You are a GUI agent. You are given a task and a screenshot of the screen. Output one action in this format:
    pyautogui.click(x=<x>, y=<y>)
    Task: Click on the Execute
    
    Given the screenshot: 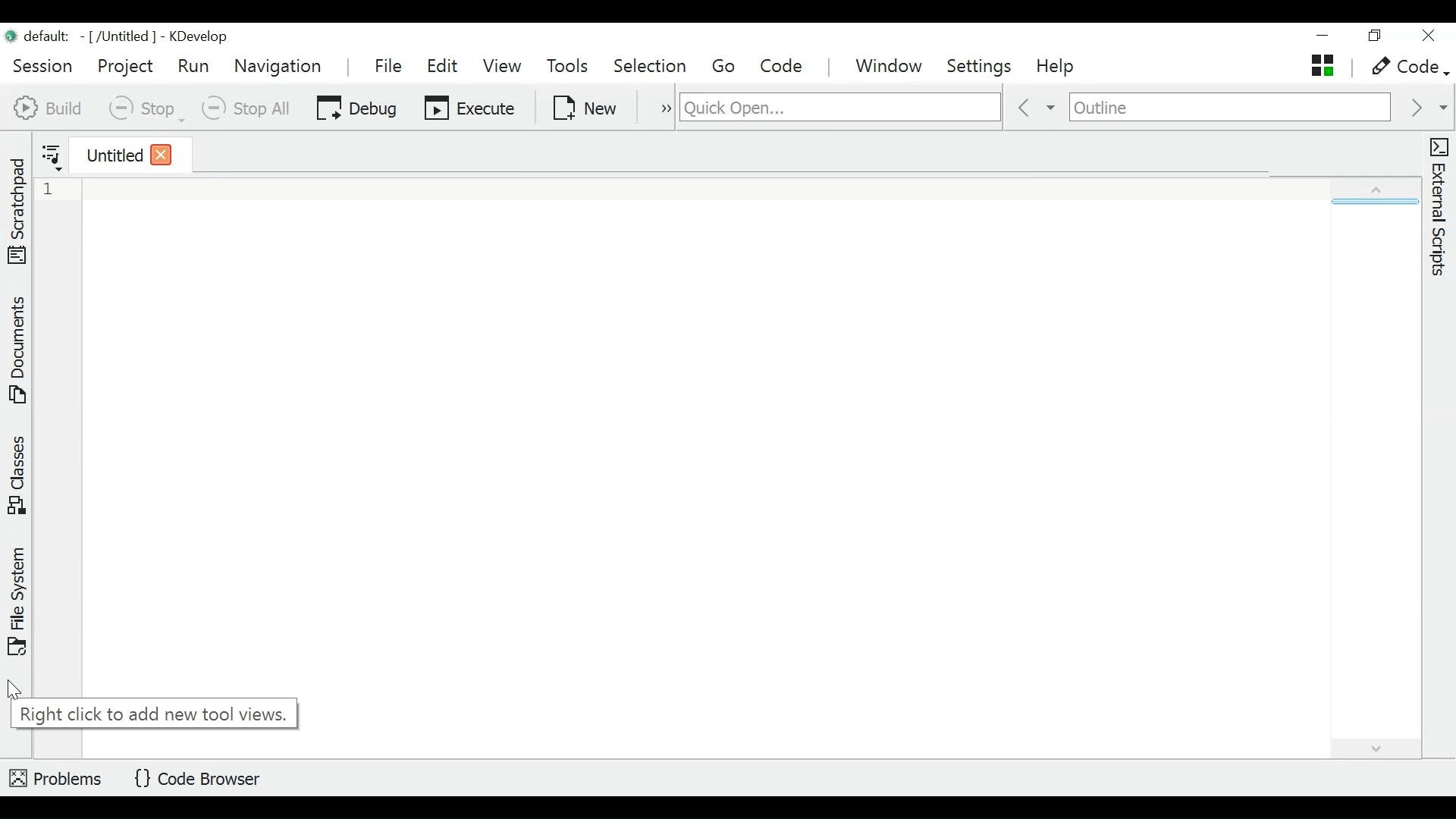 What is the action you would take?
    pyautogui.click(x=471, y=108)
    